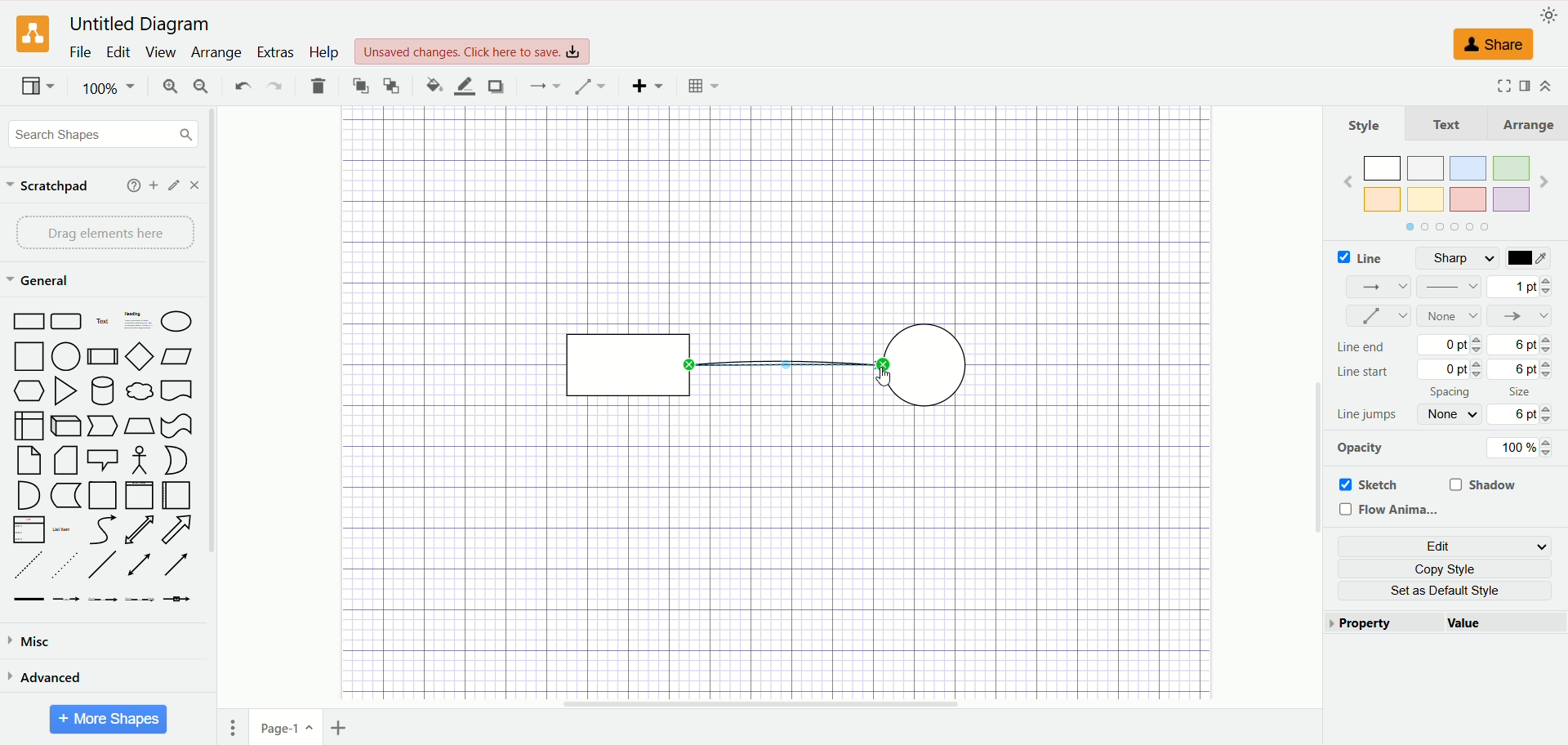  What do you see at coordinates (29, 425) in the screenshot?
I see `Box` at bounding box center [29, 425].